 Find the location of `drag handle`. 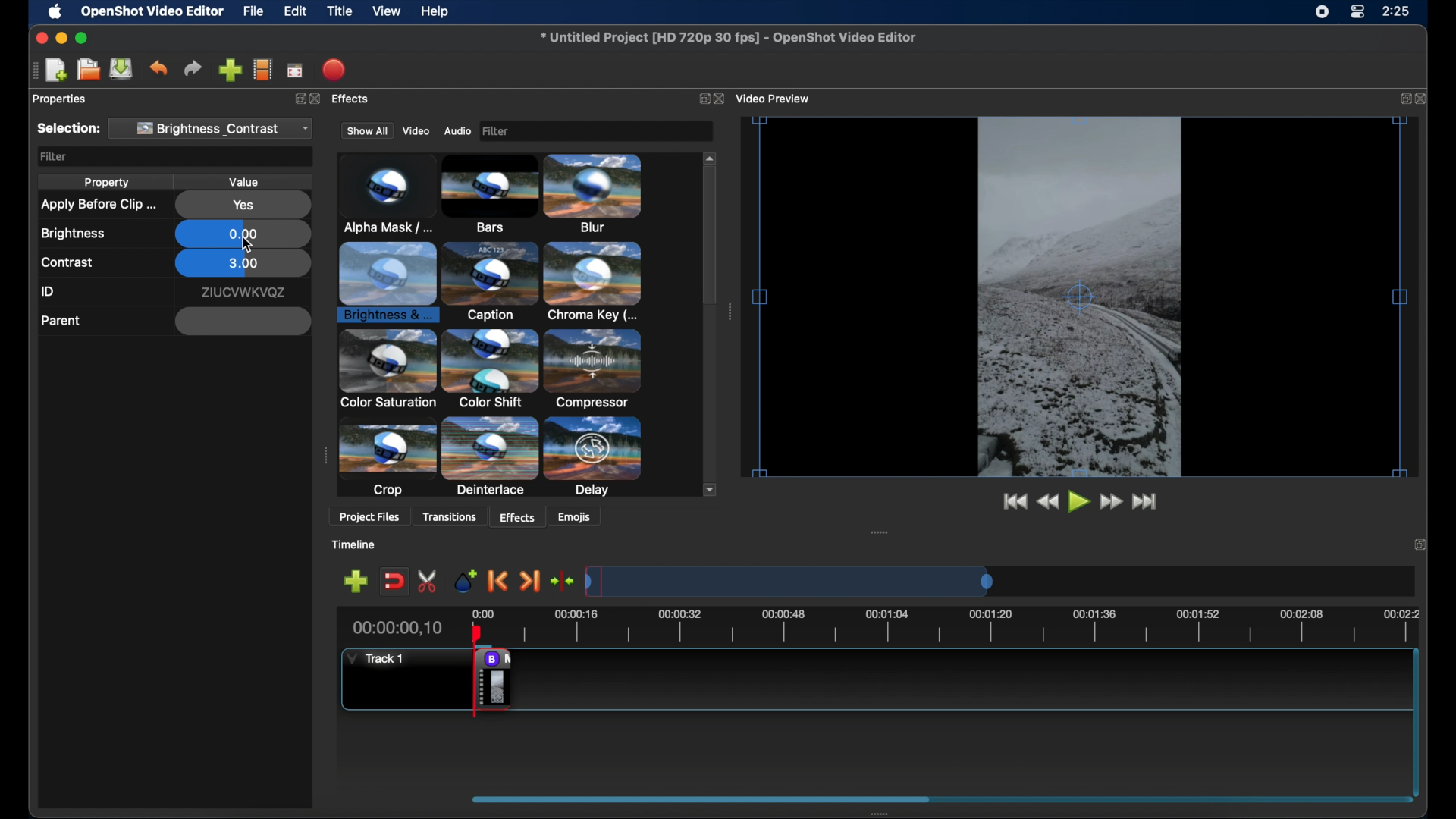

drag handle is located at coordinates (730, 310).